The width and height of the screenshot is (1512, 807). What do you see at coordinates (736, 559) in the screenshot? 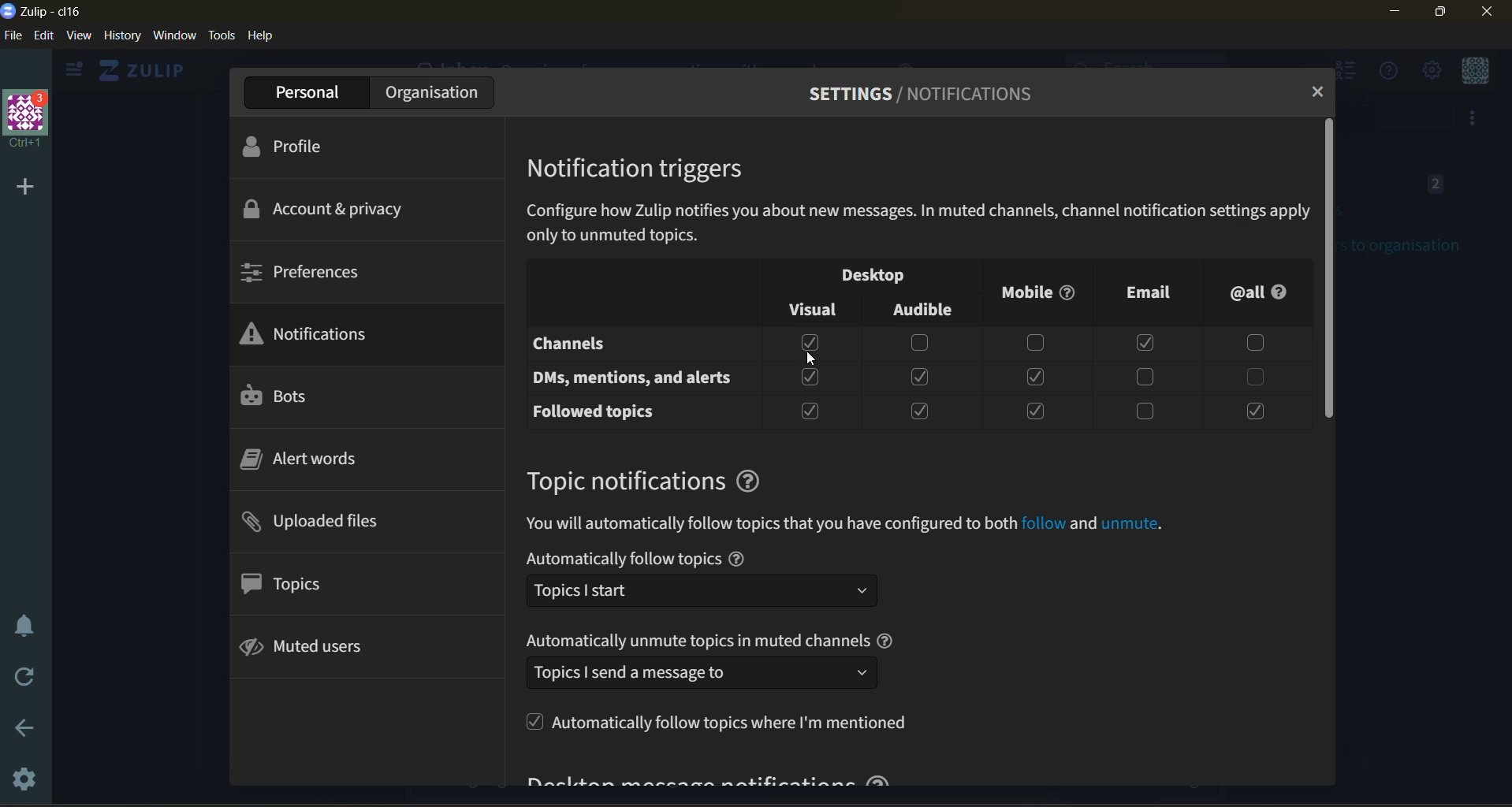
I see `help` at bounding box center [736, 559].